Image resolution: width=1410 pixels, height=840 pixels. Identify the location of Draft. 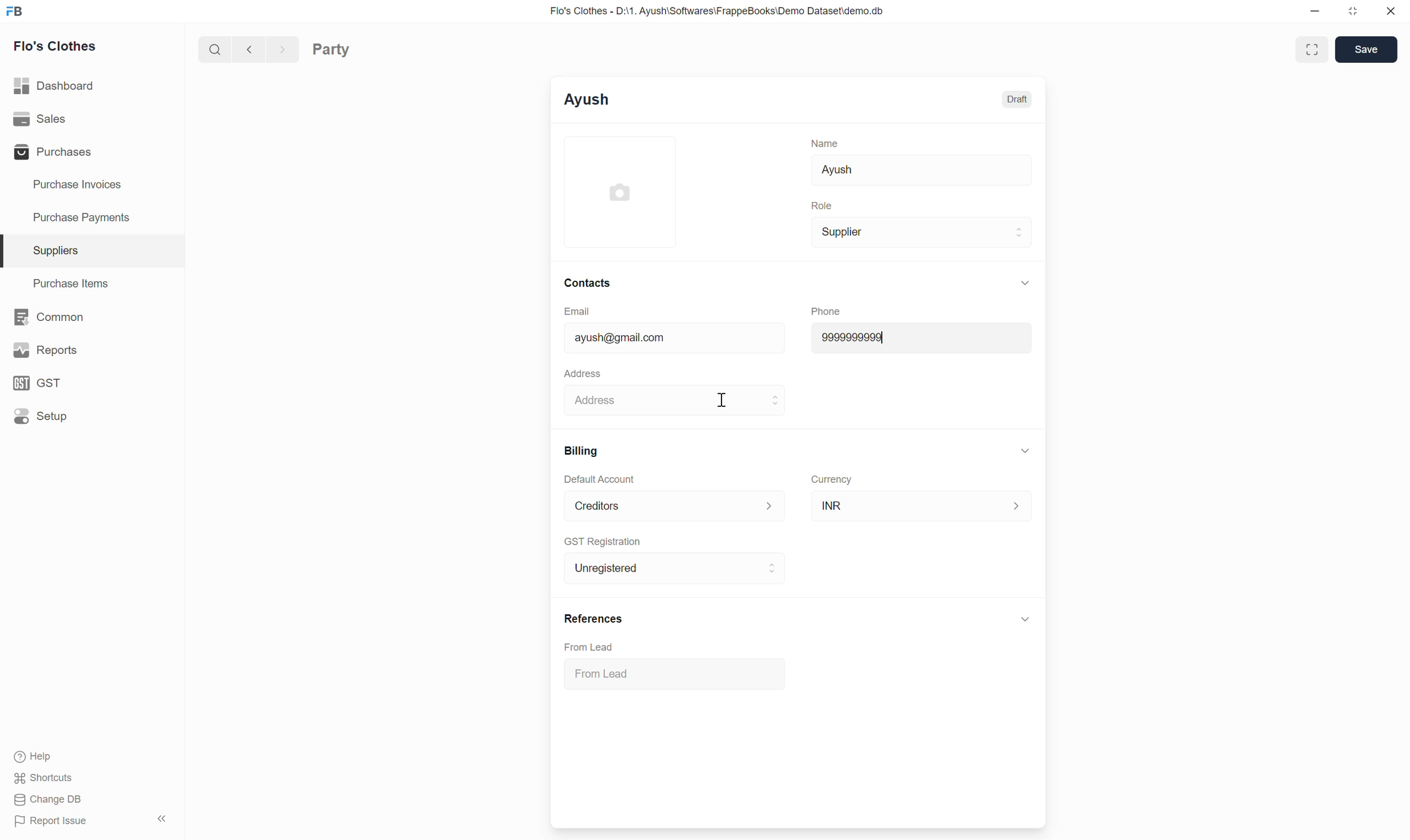
(1016, 100).